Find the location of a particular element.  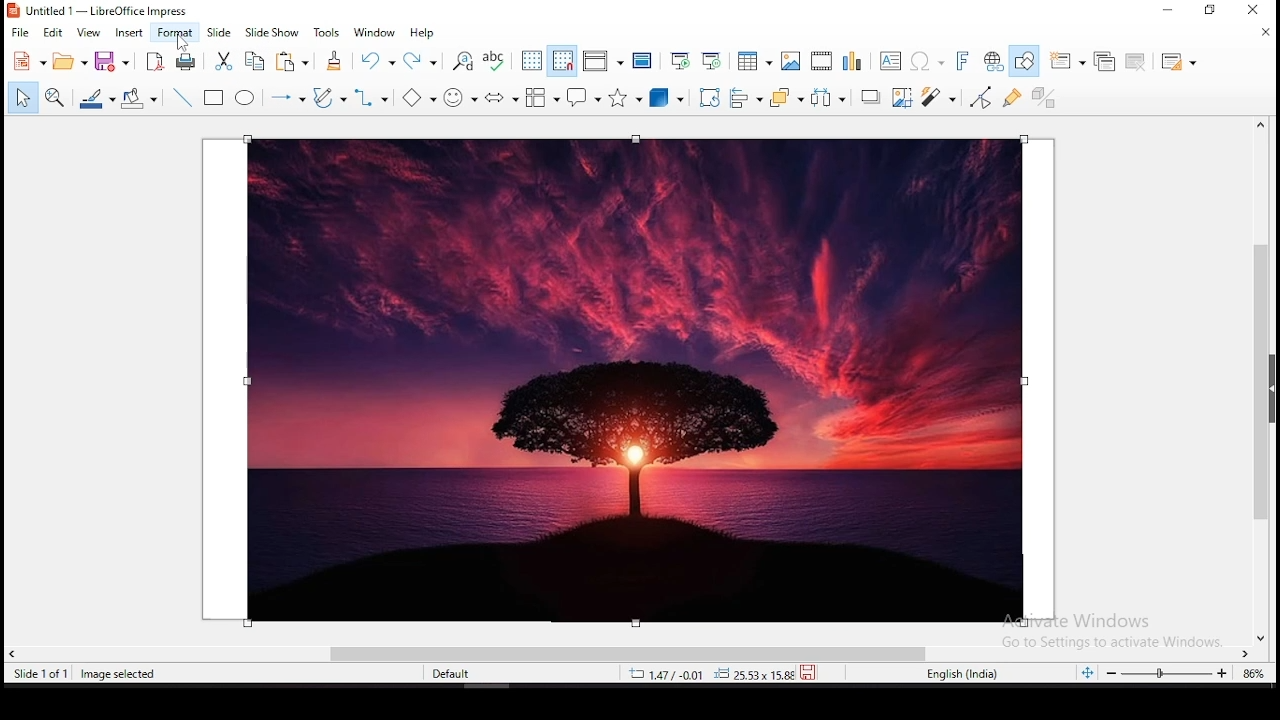

clone formatting is located at coordinates (334, 60).